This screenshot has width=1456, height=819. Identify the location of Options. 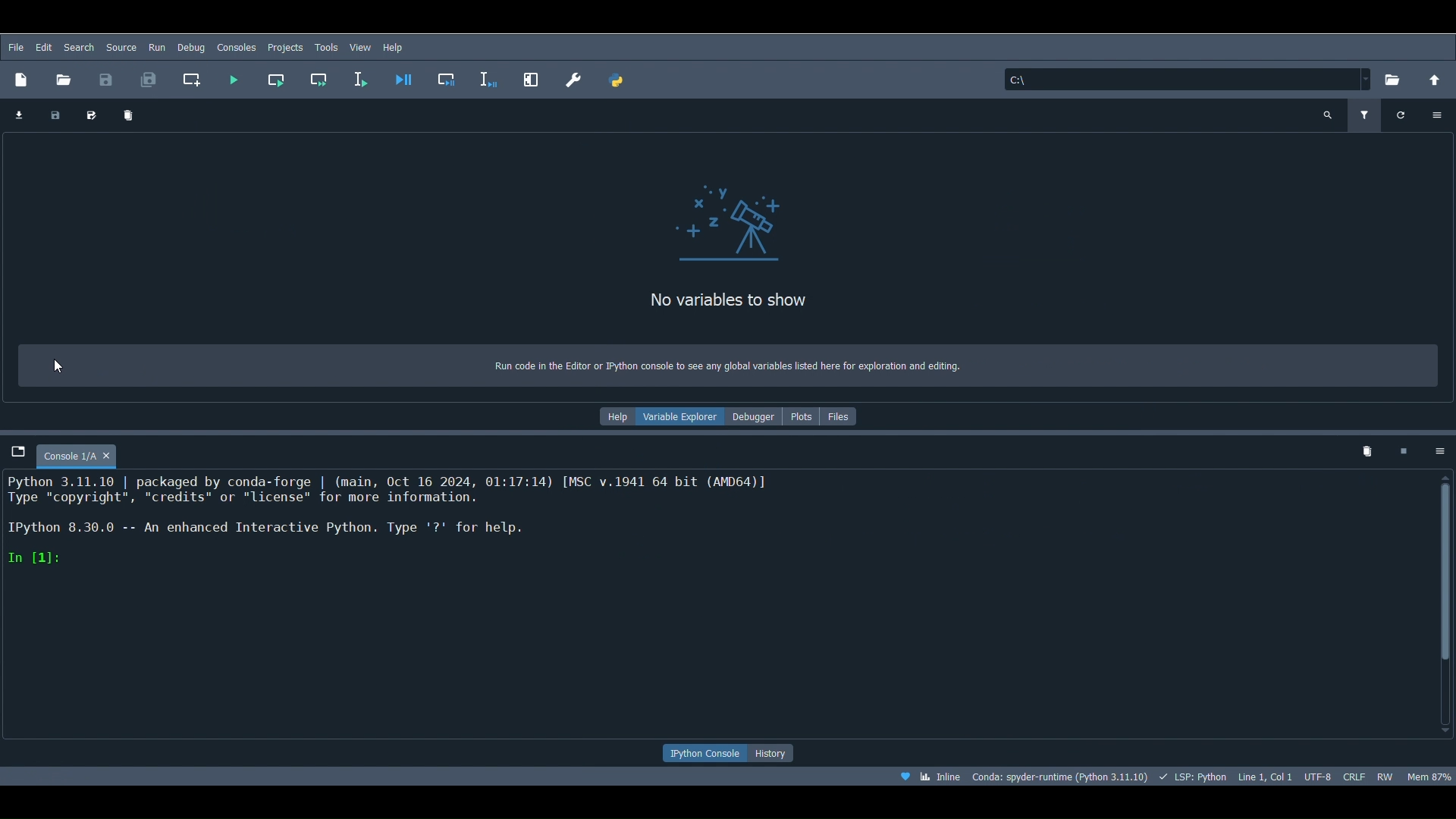
(1437, 447).